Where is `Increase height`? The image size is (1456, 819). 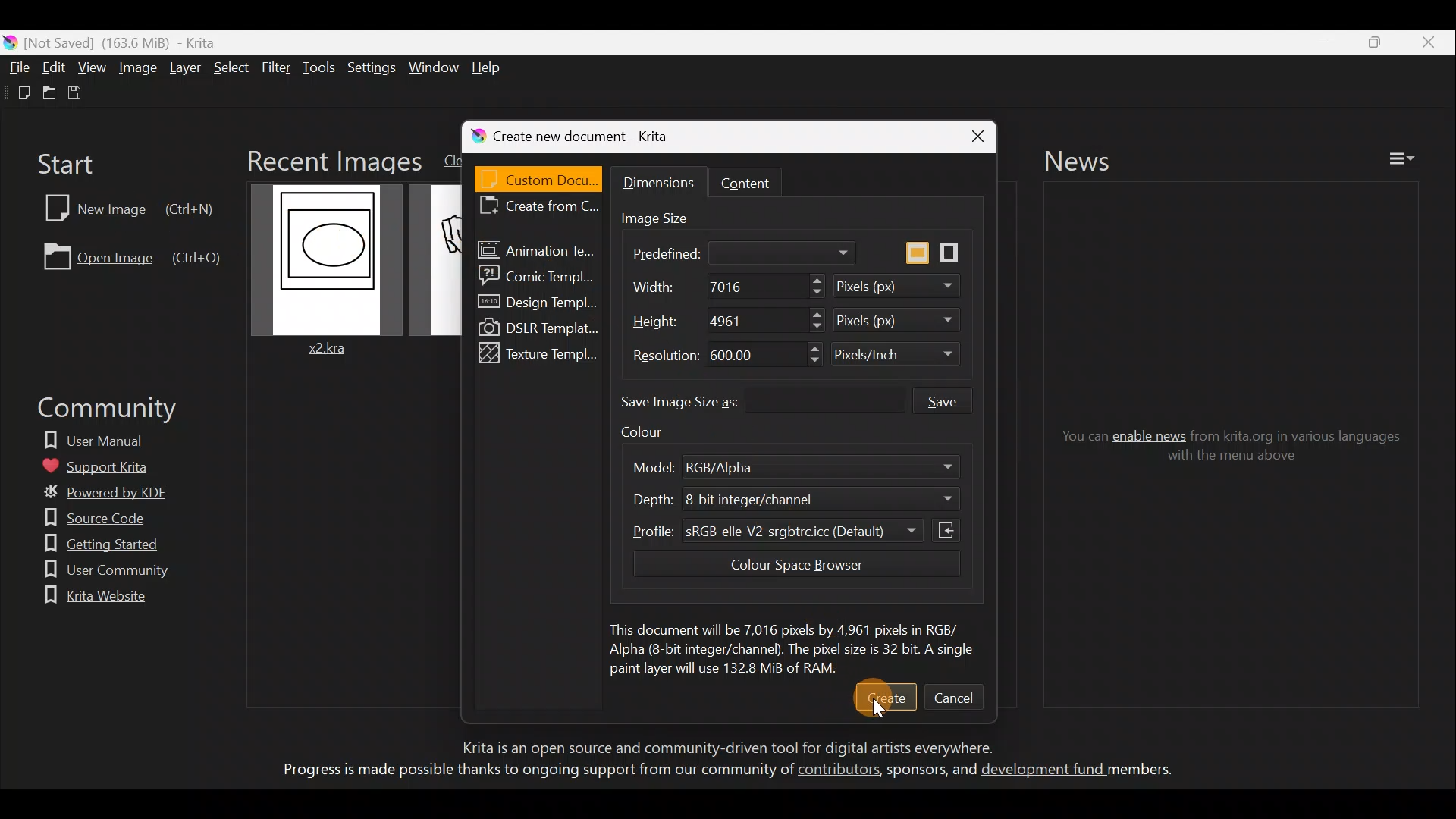 Increase height is located at coordinates (809, 315).